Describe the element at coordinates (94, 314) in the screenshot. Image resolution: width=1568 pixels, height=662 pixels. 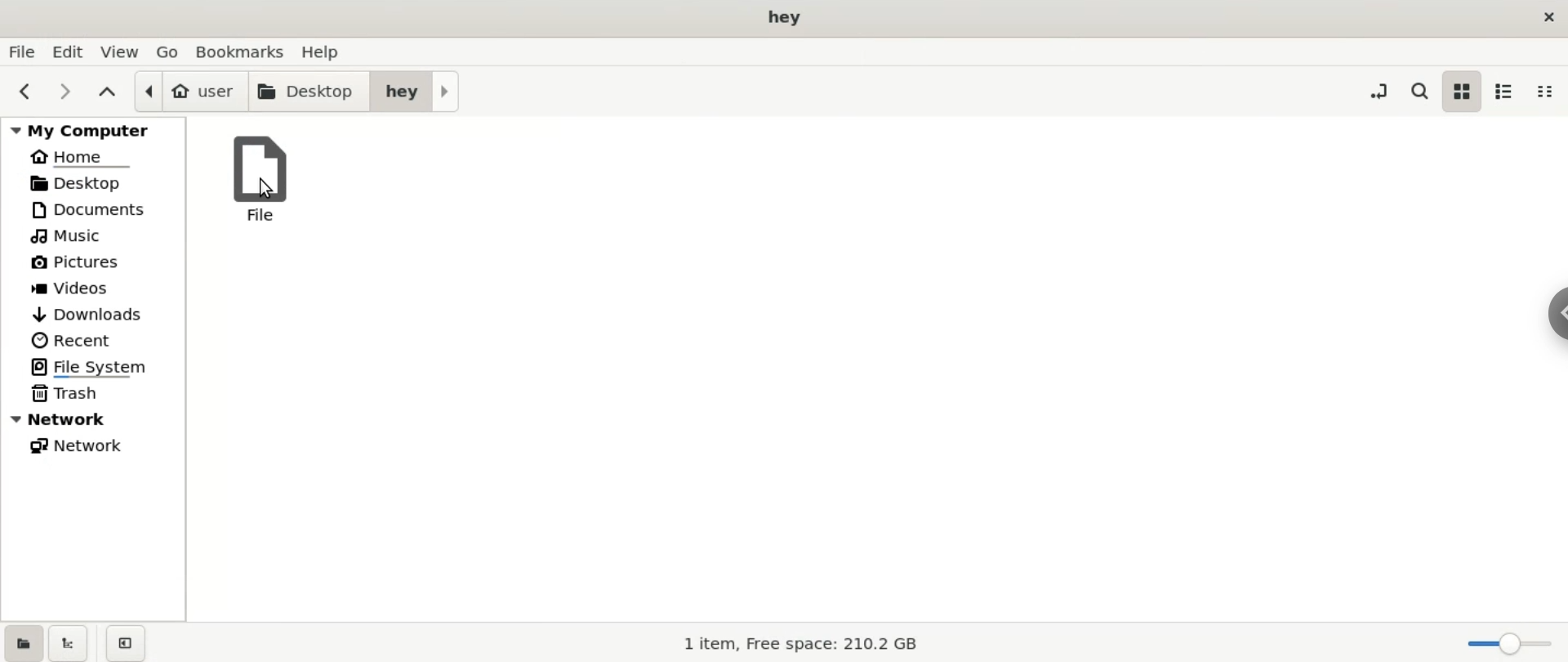
I see `downloas` at that location.